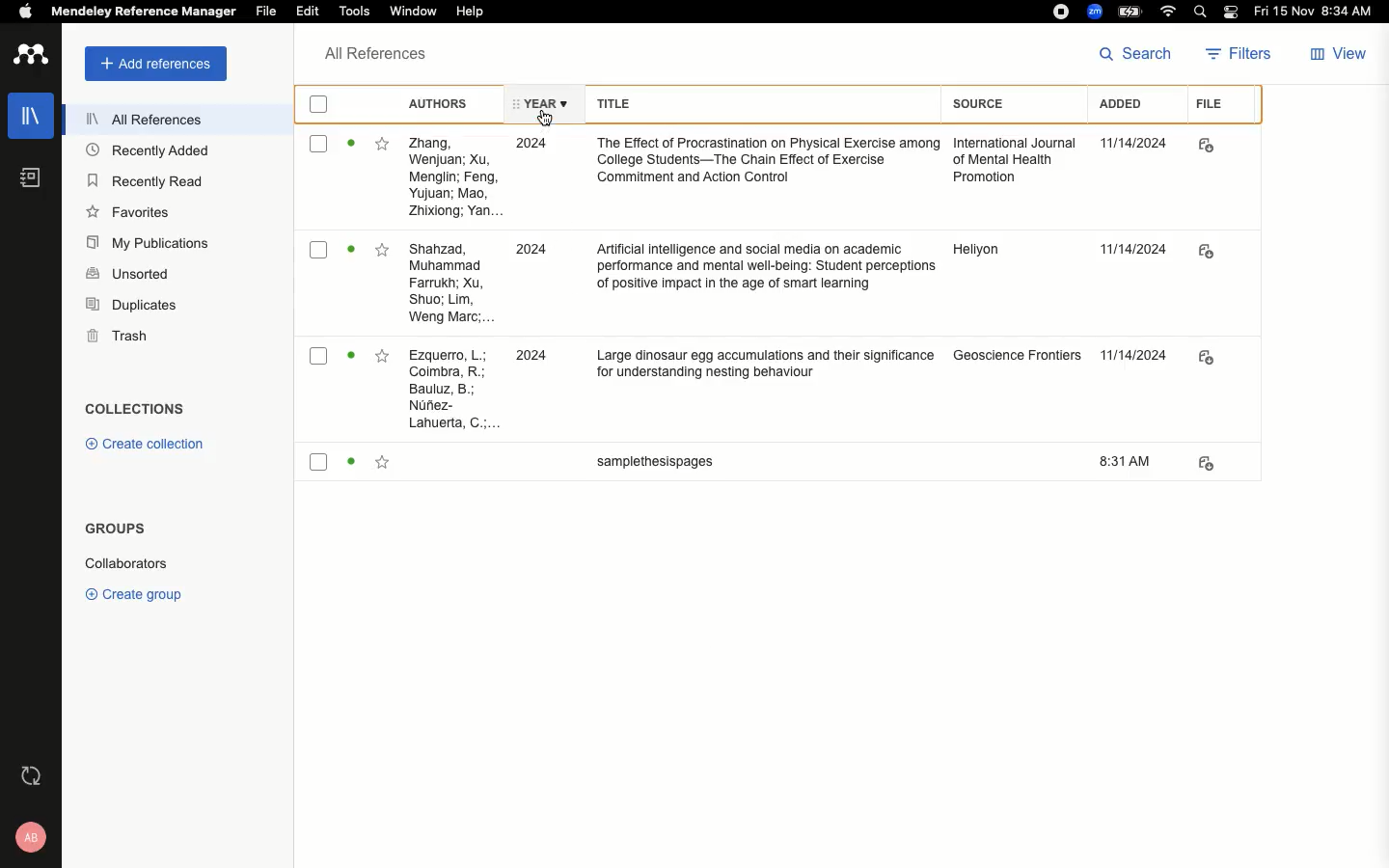 The width and height of the screenshot is (1389, 868). What do you see at coordinates (1336, 54) in the screenshot?
I see `View` at bounding box center [1336, 54].